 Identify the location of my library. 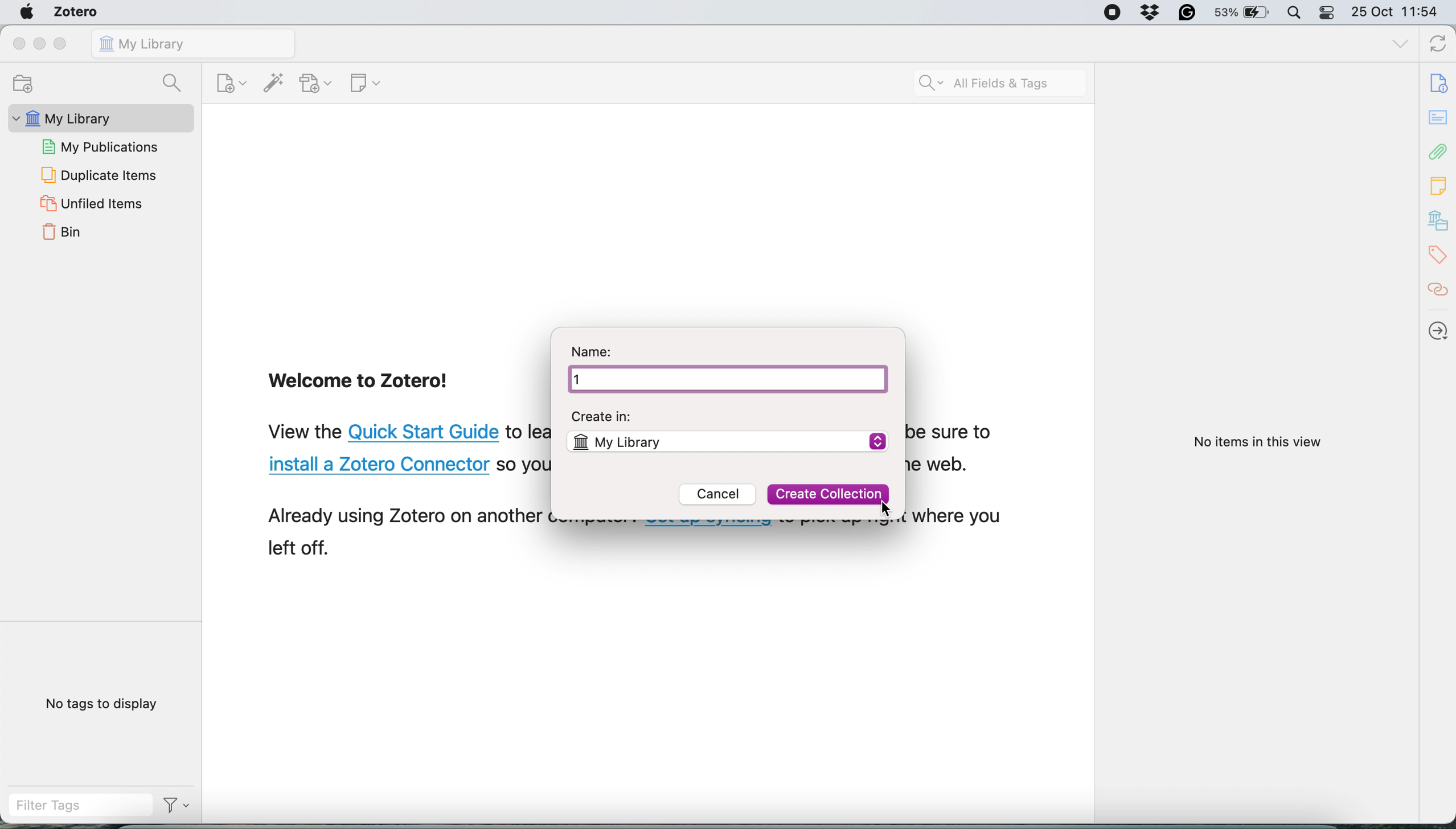
(99, 117).